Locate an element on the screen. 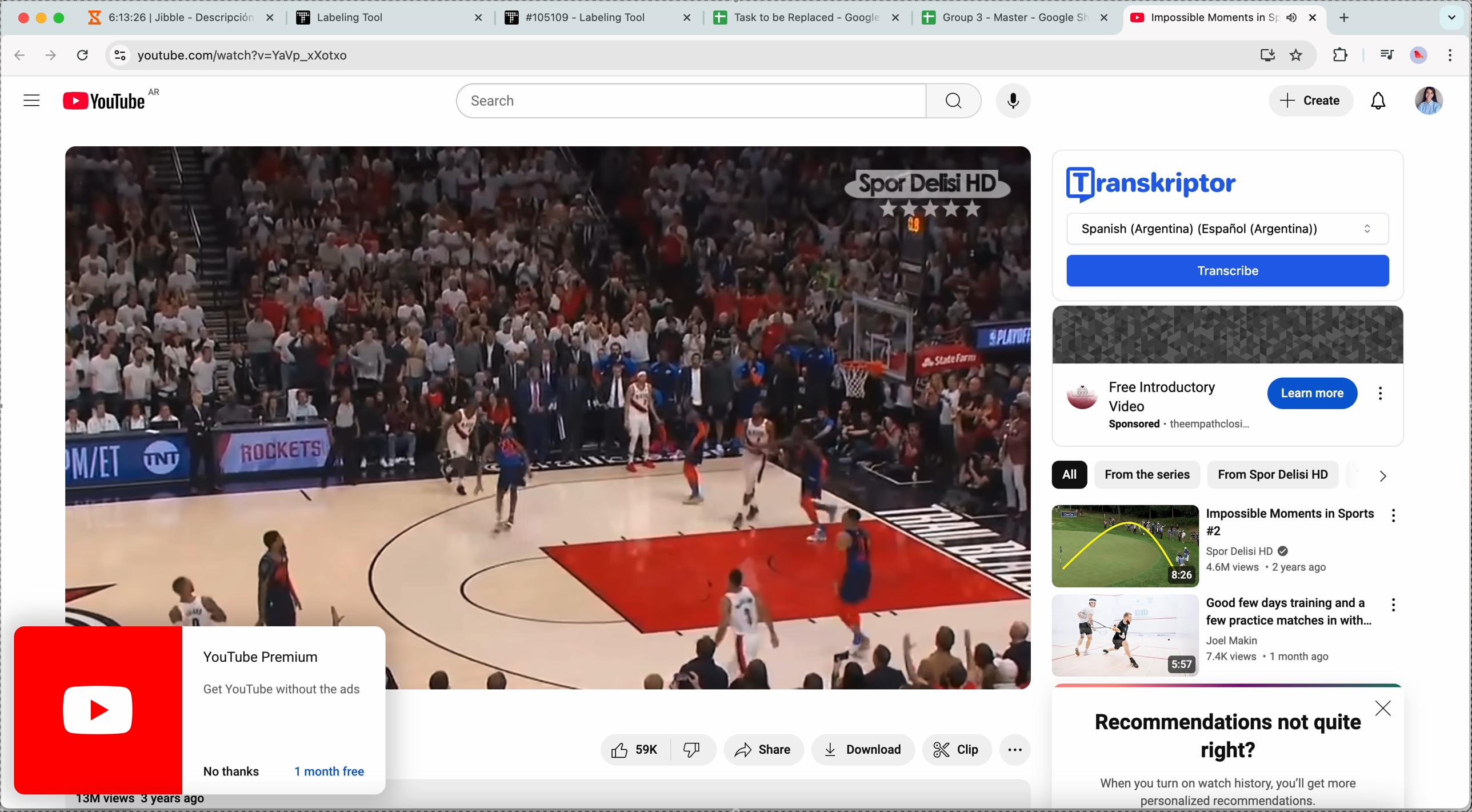 This screenshot has width=1472, height=812. more options is located at coordinates (1398, 603).